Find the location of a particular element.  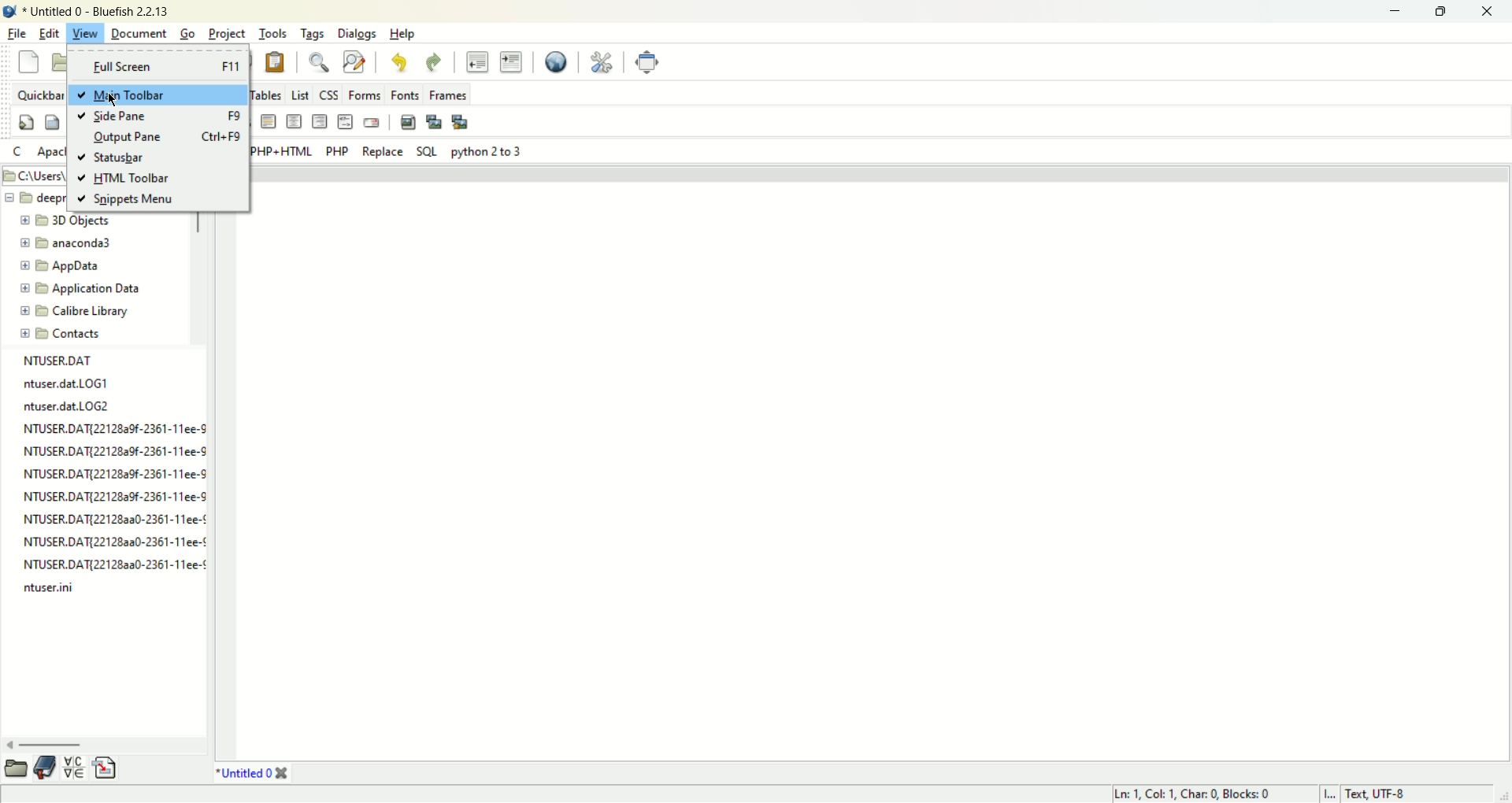

project is located at coordinates (228, 32).